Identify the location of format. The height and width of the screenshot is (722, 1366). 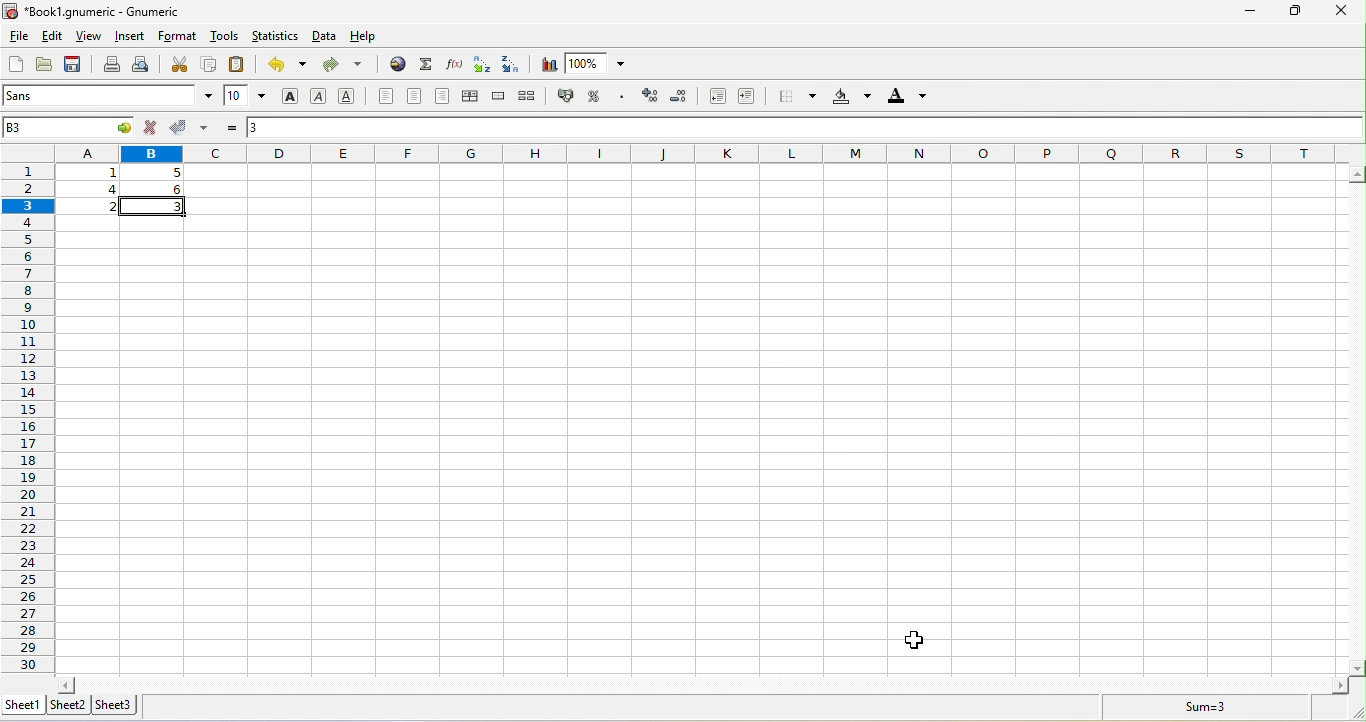
(179, 38).